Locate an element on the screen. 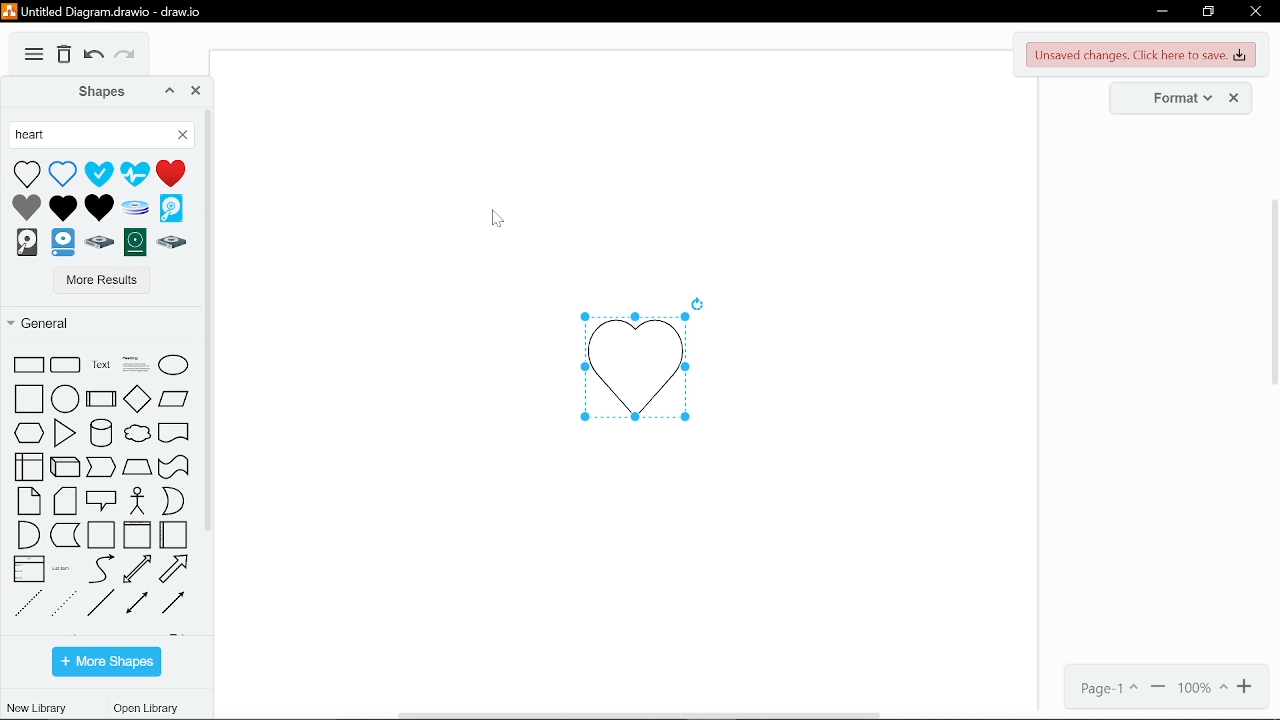 The width and height of the screenshot is (1280, 720). internal storage is located at coordinates (30, 469).